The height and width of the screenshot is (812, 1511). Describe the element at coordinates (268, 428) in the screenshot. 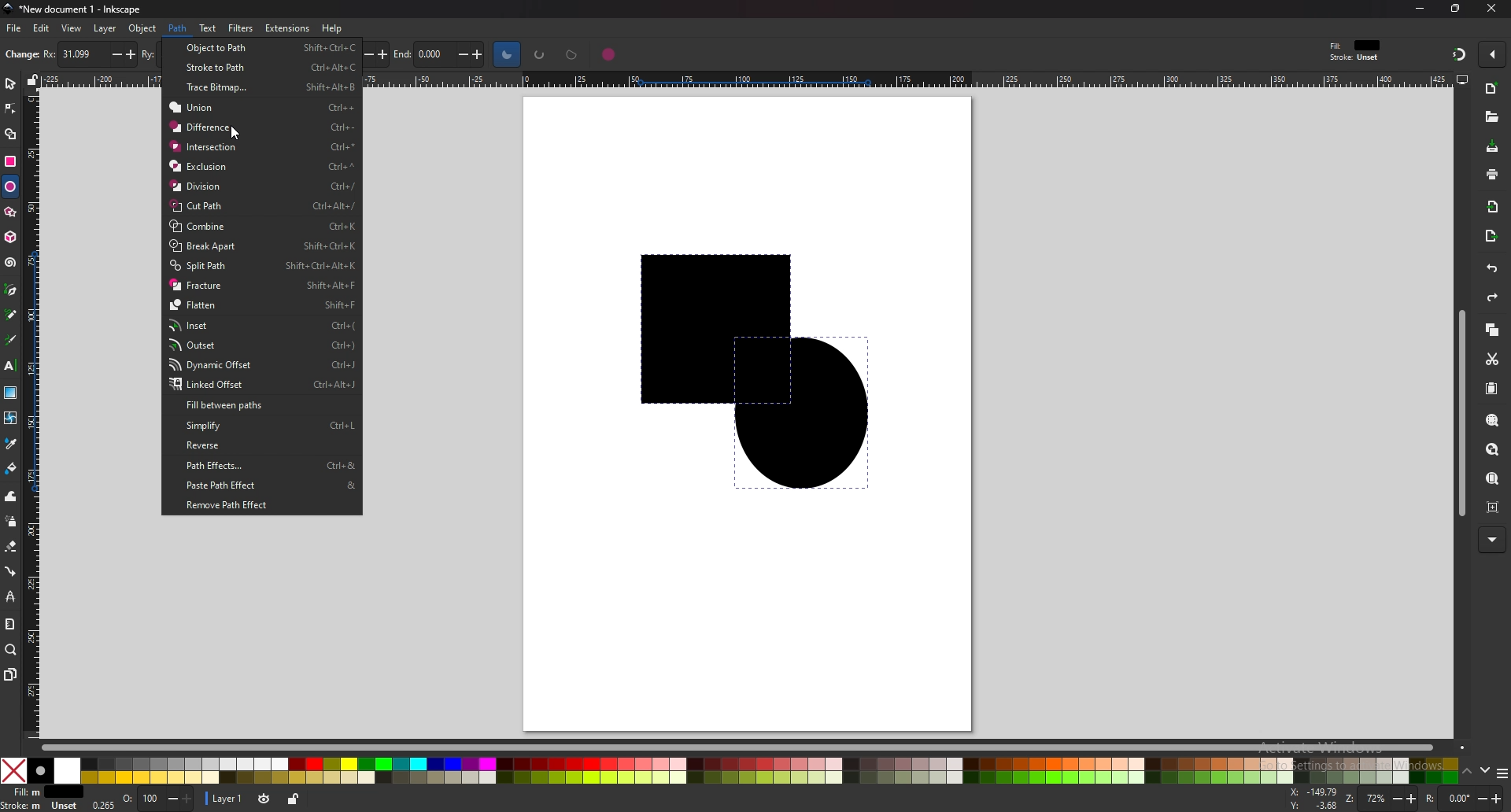

I see `Simplify` at that location.